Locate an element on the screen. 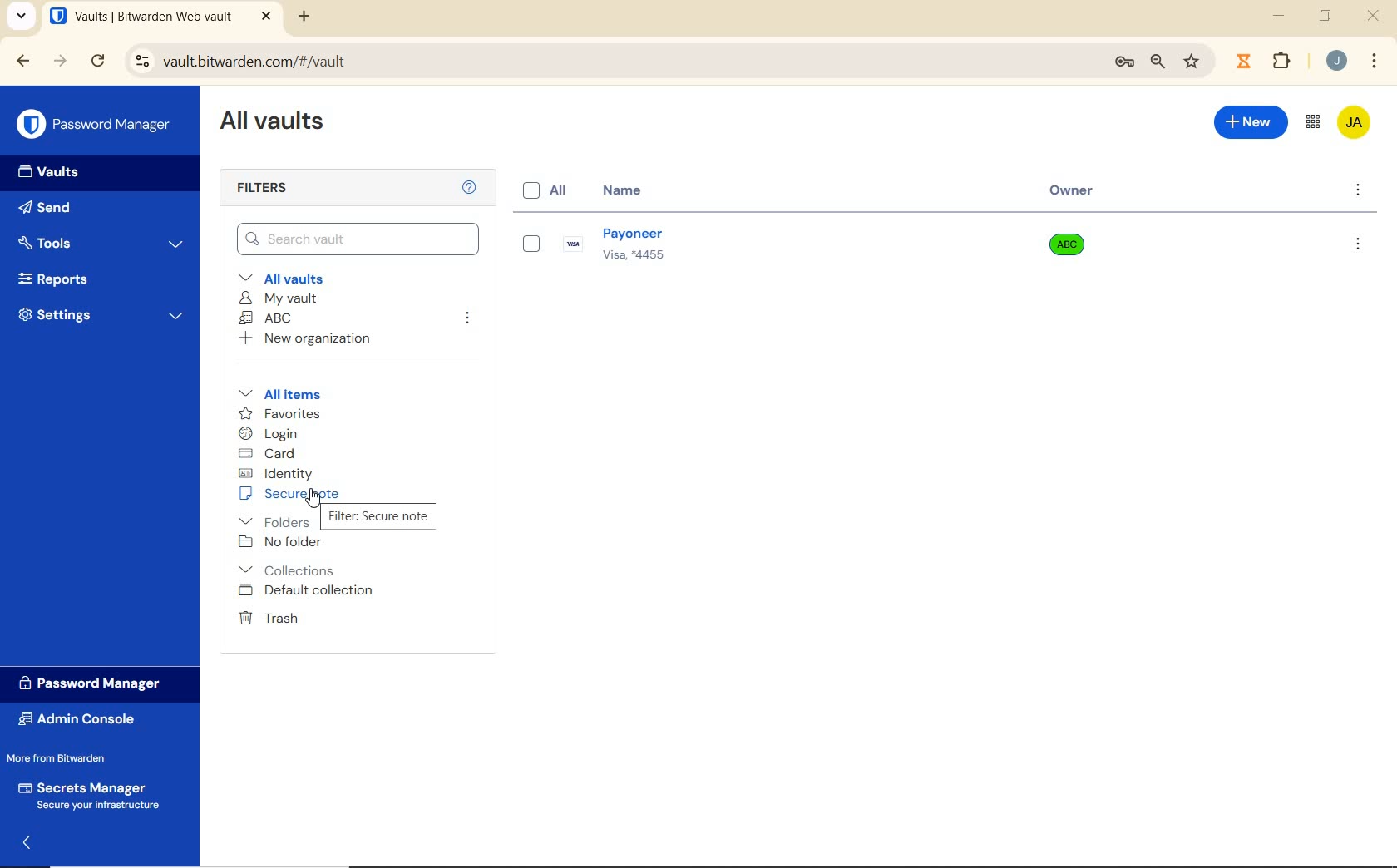 The height and width of the screenshot is (868, 1397). Admin Console is located at coordinates (86, 718).